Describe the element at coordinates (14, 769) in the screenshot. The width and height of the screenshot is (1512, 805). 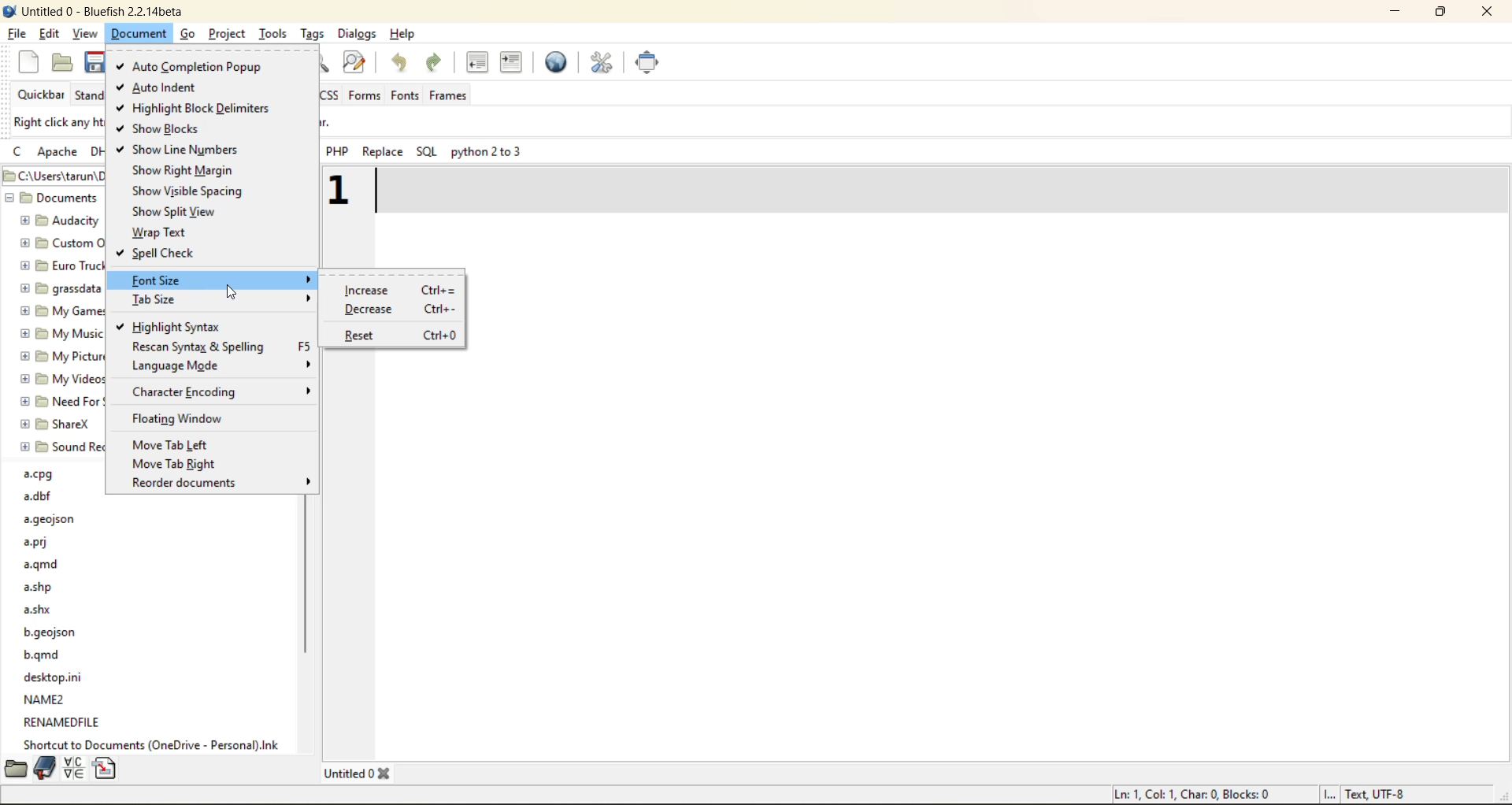
I see `filebrowser` at that location.